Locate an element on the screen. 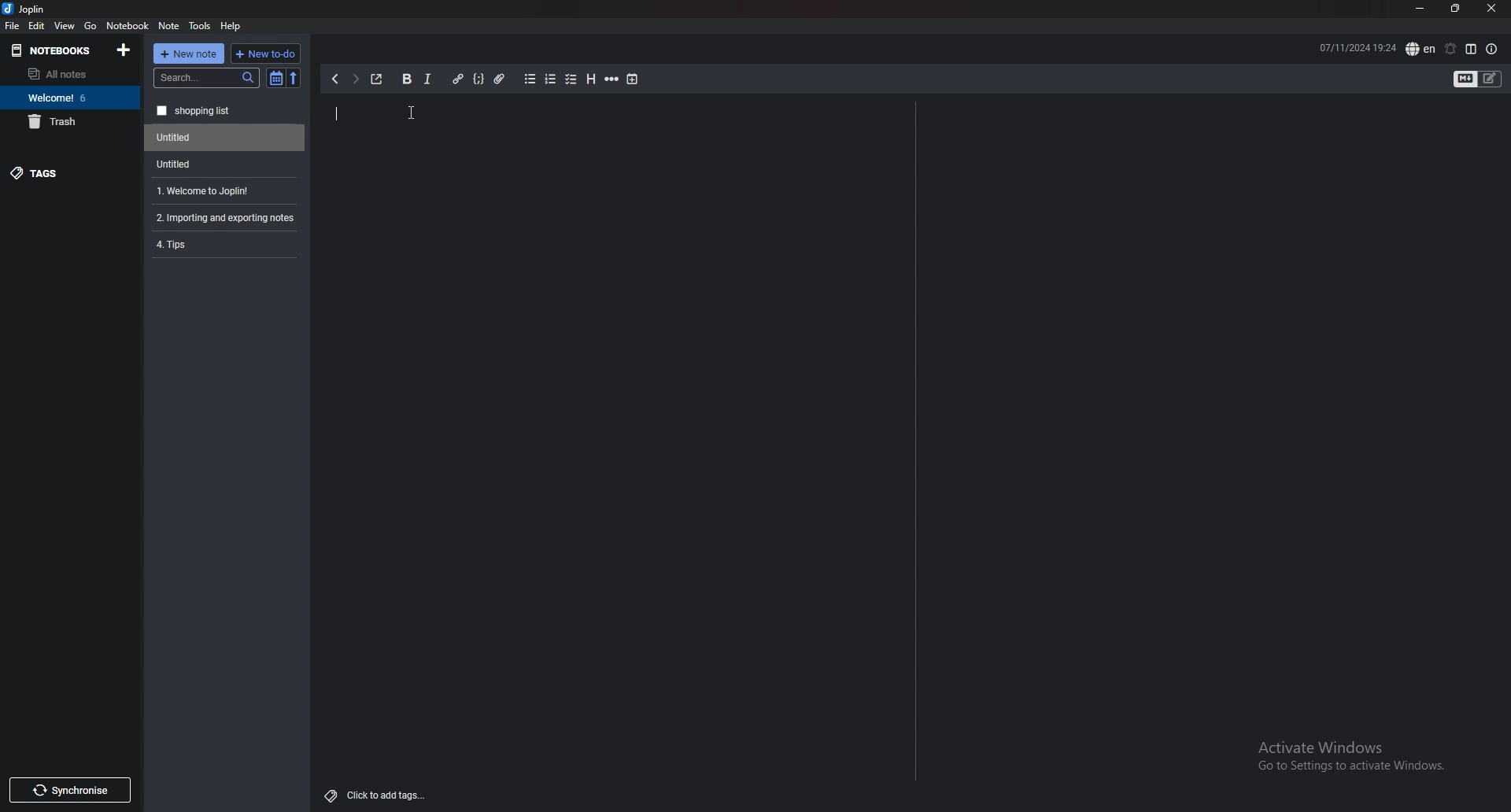  tags is located at coordinates (71, 172).